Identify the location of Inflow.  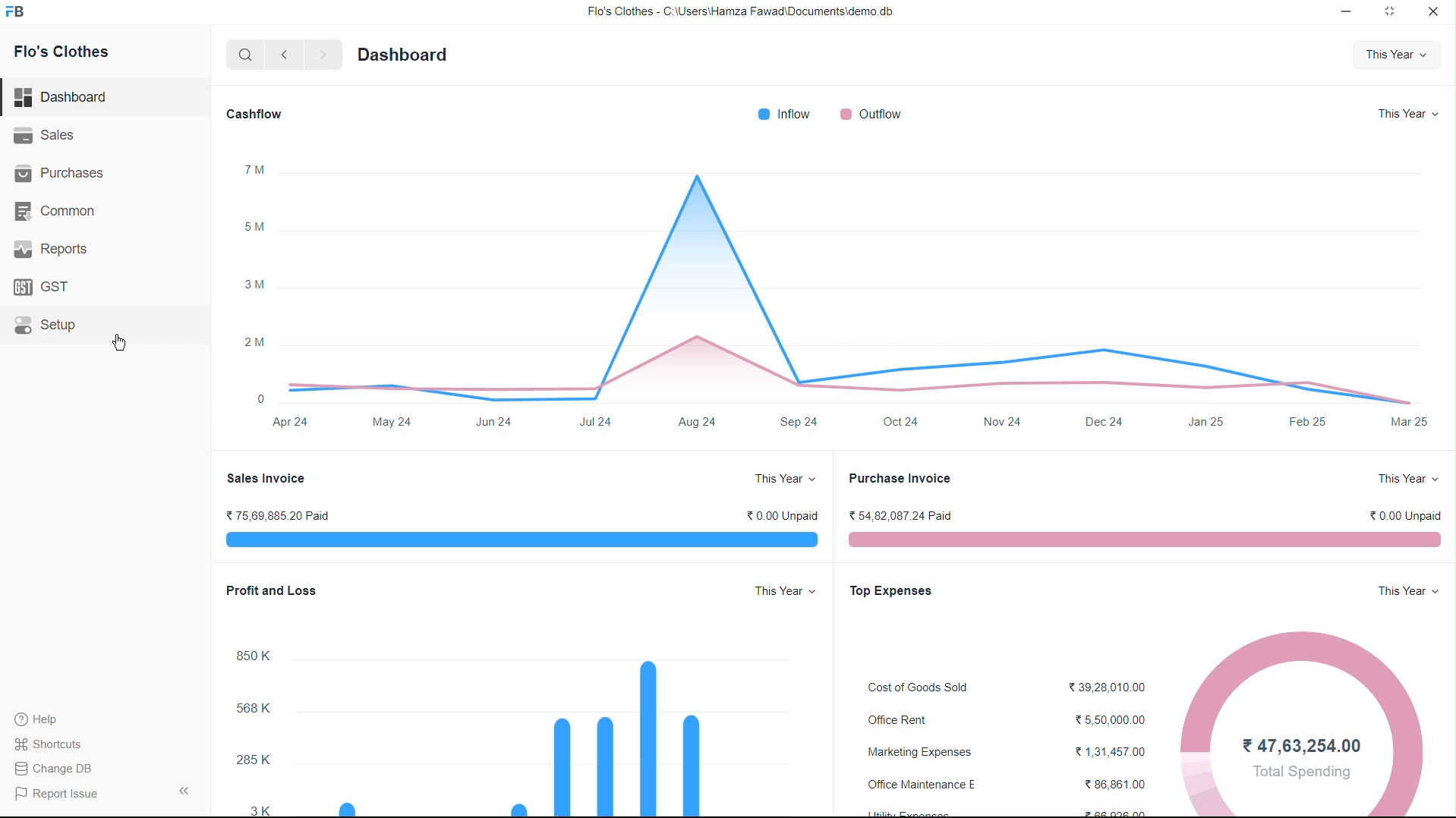
(774, 112).